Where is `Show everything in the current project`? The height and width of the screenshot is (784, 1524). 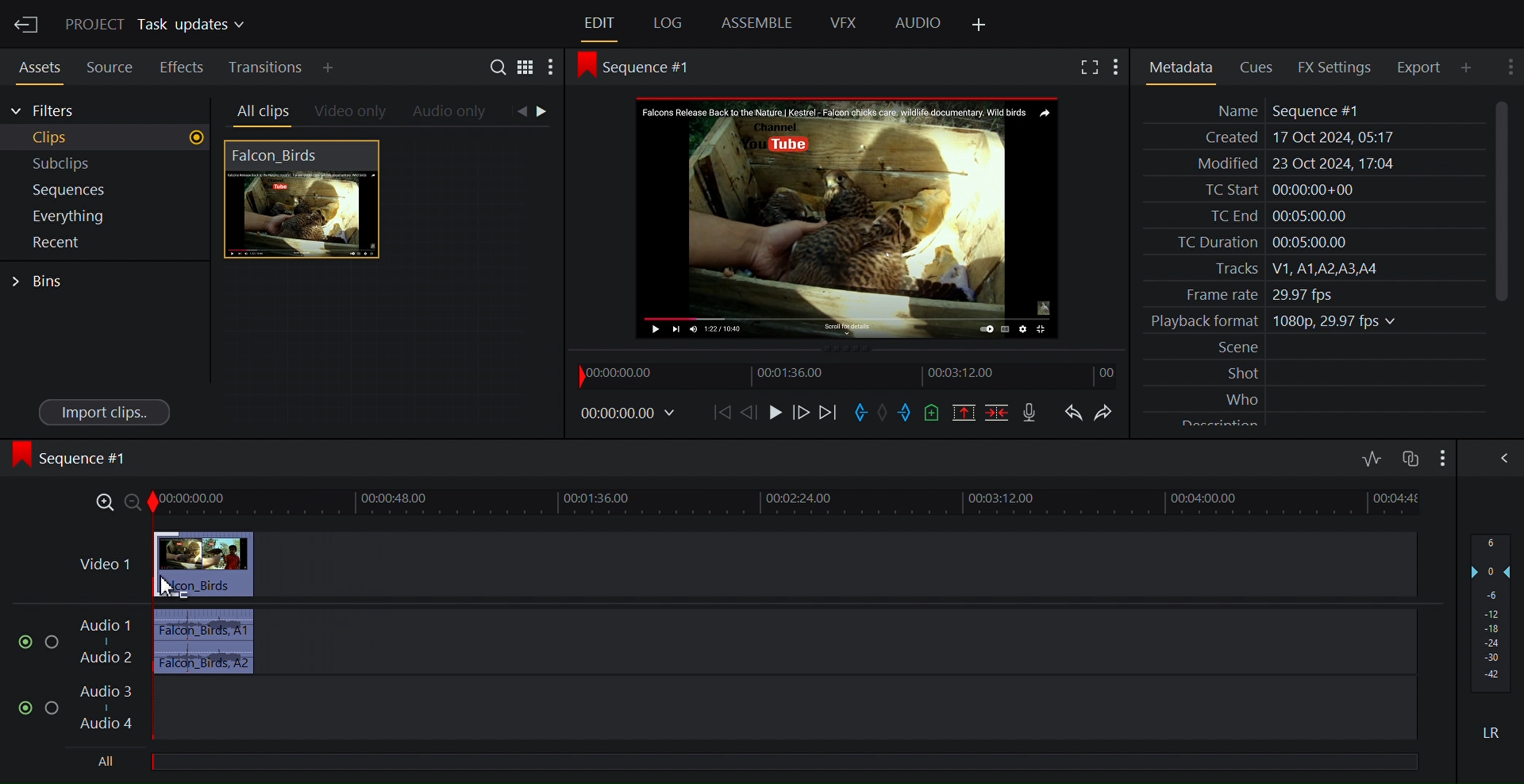
Show everything in the current project is located at coordinates (103, 216).